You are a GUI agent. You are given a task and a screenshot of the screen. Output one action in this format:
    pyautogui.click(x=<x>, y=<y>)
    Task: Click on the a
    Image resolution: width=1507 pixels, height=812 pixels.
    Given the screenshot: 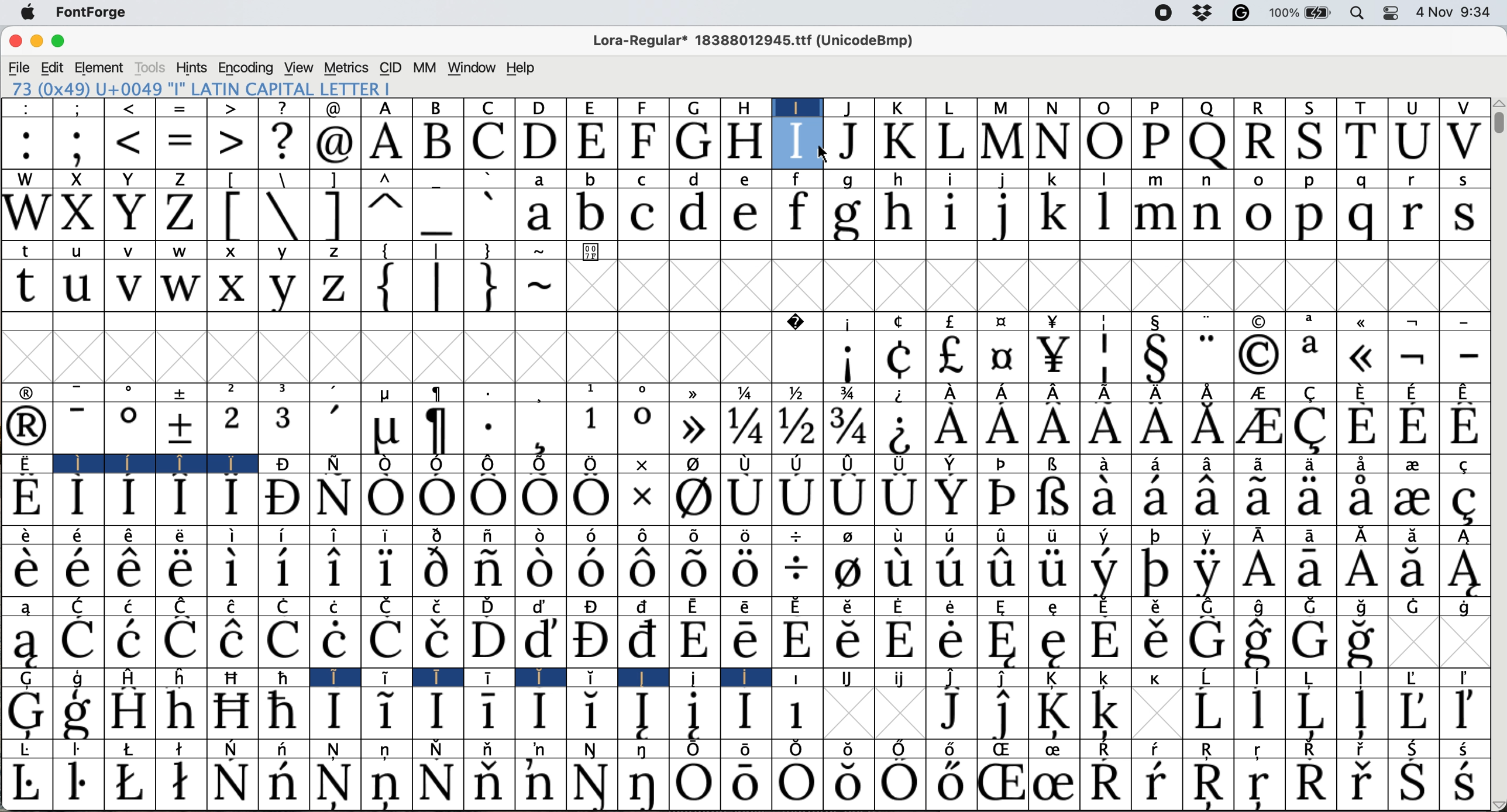 What is the action you would take?
    pyautogui.click(x=1312, y=356)
    